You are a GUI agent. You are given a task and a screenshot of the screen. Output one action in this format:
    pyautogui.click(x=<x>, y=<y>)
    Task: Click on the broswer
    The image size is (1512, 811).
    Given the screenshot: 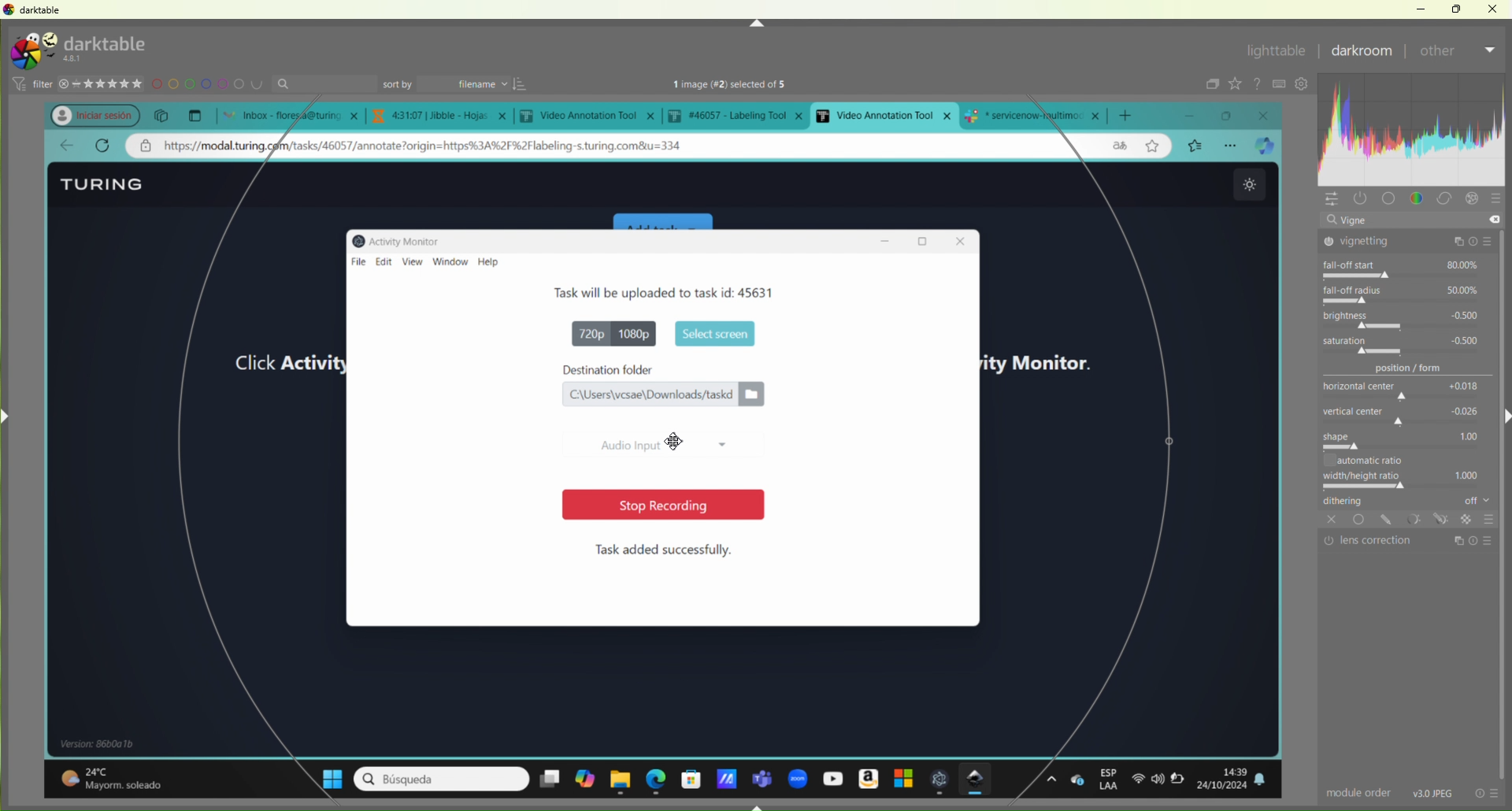 What is the action you would take?
    pyautogui.click(x=1268, y=146)
    